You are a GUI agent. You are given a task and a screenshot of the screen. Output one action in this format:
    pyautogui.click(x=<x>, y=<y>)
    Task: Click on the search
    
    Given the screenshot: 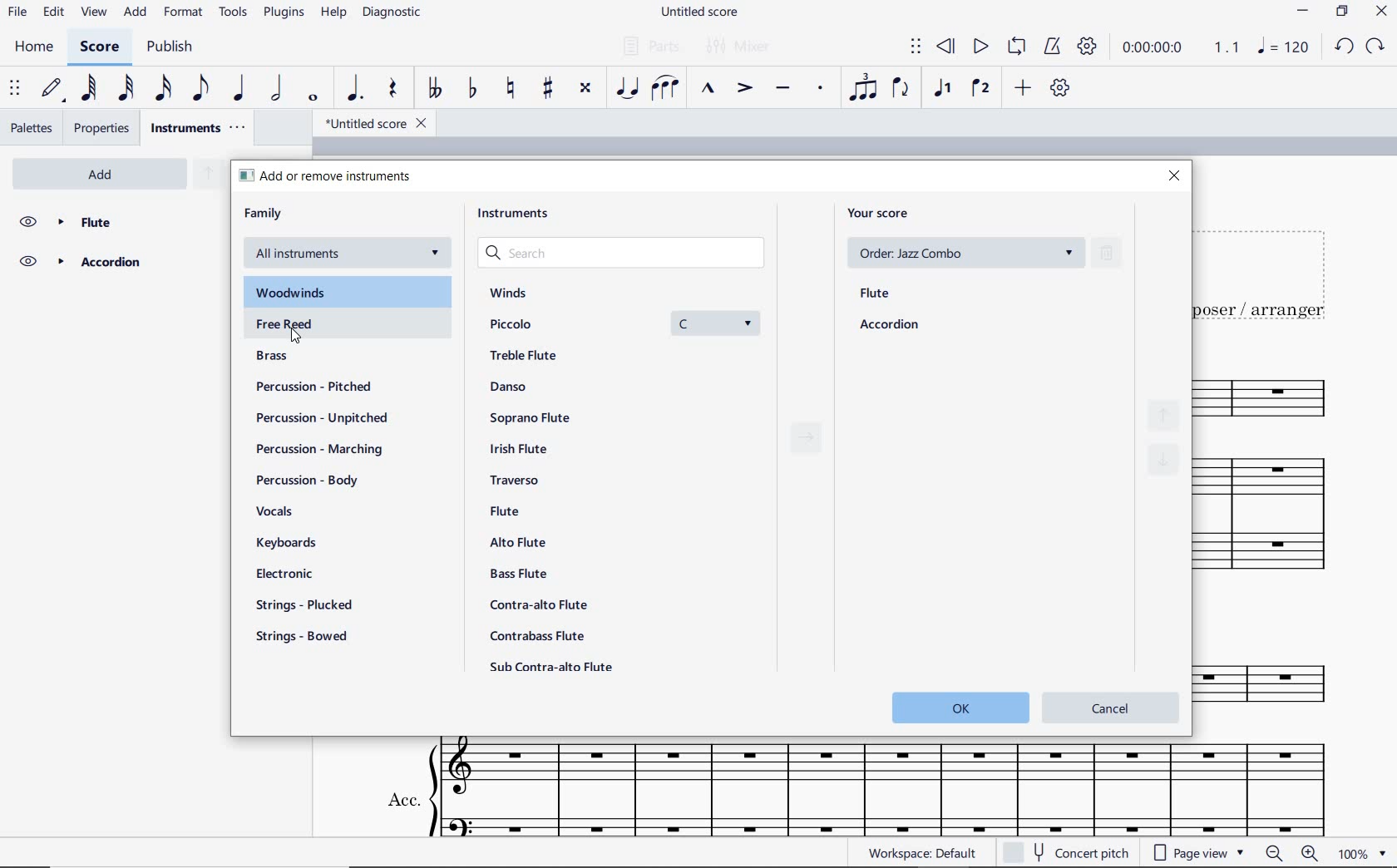 What is the action you would take?
    pyautogui.click(x=629, y=255)
    